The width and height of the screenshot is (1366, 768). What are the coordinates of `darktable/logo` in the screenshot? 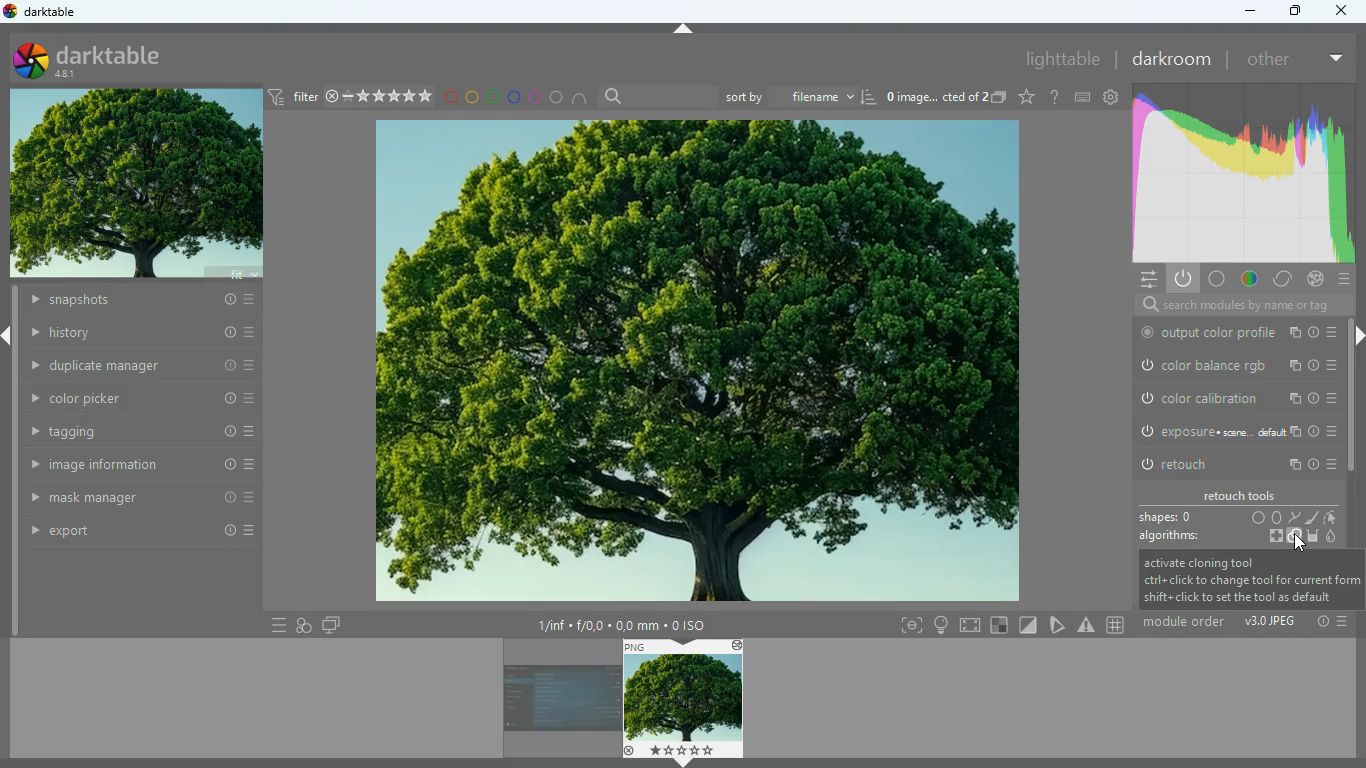 It's located at (39, 12).